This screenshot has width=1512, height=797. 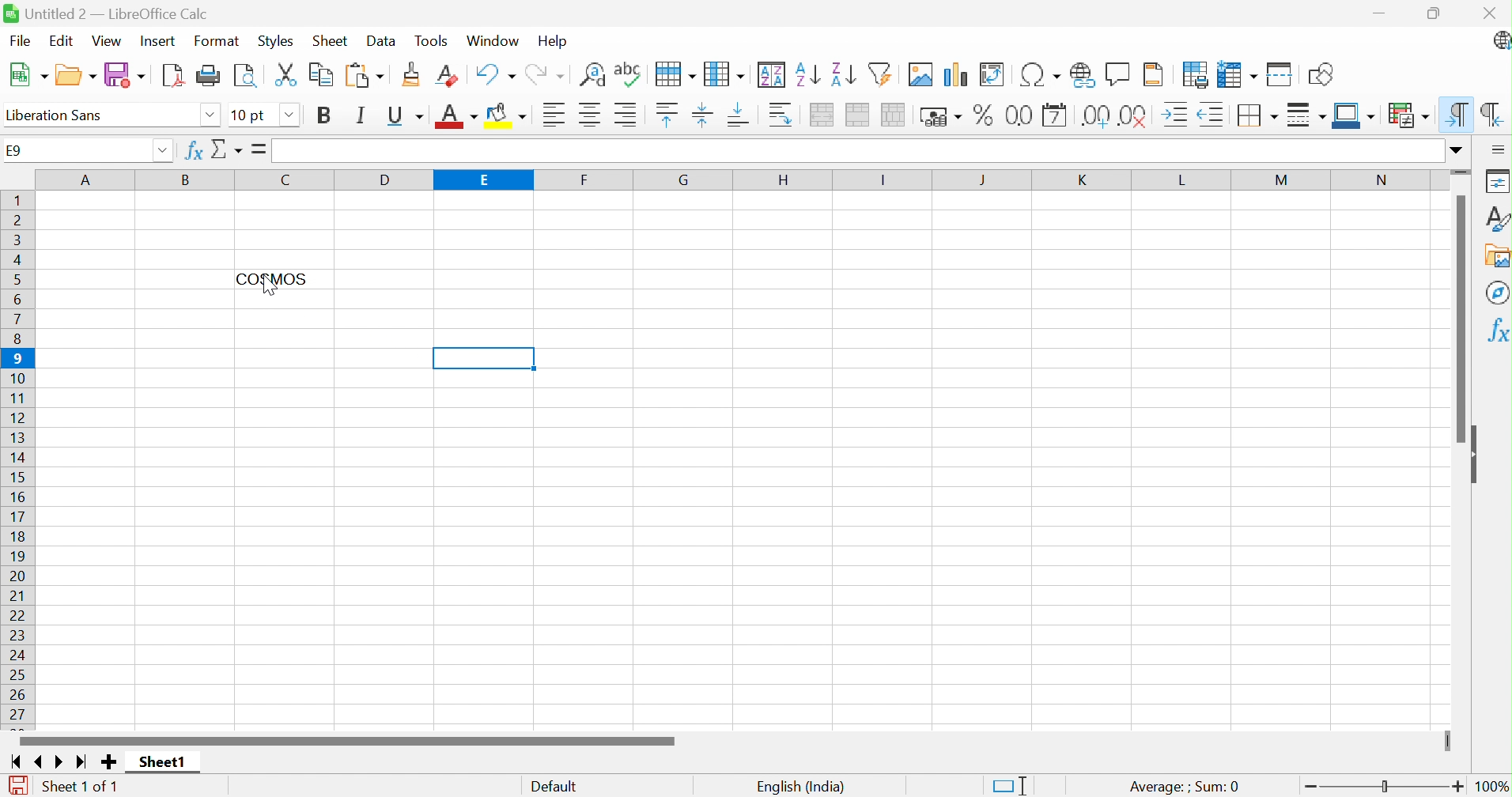 What do you see at coordinates (1153, 76) in the screenshot?
I see `Headers and footers` at bounding box center [1153, 76].